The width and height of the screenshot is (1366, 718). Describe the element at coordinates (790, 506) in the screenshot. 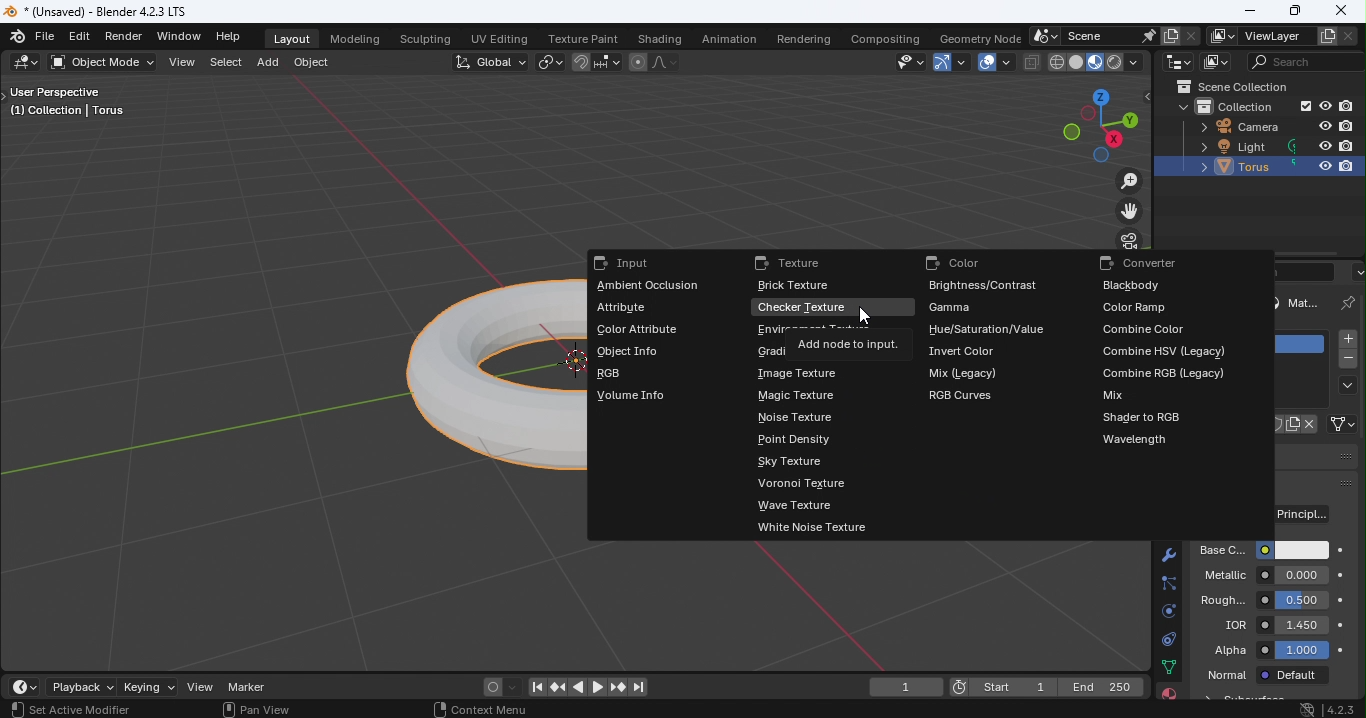

I see `Wave texture` at that location.